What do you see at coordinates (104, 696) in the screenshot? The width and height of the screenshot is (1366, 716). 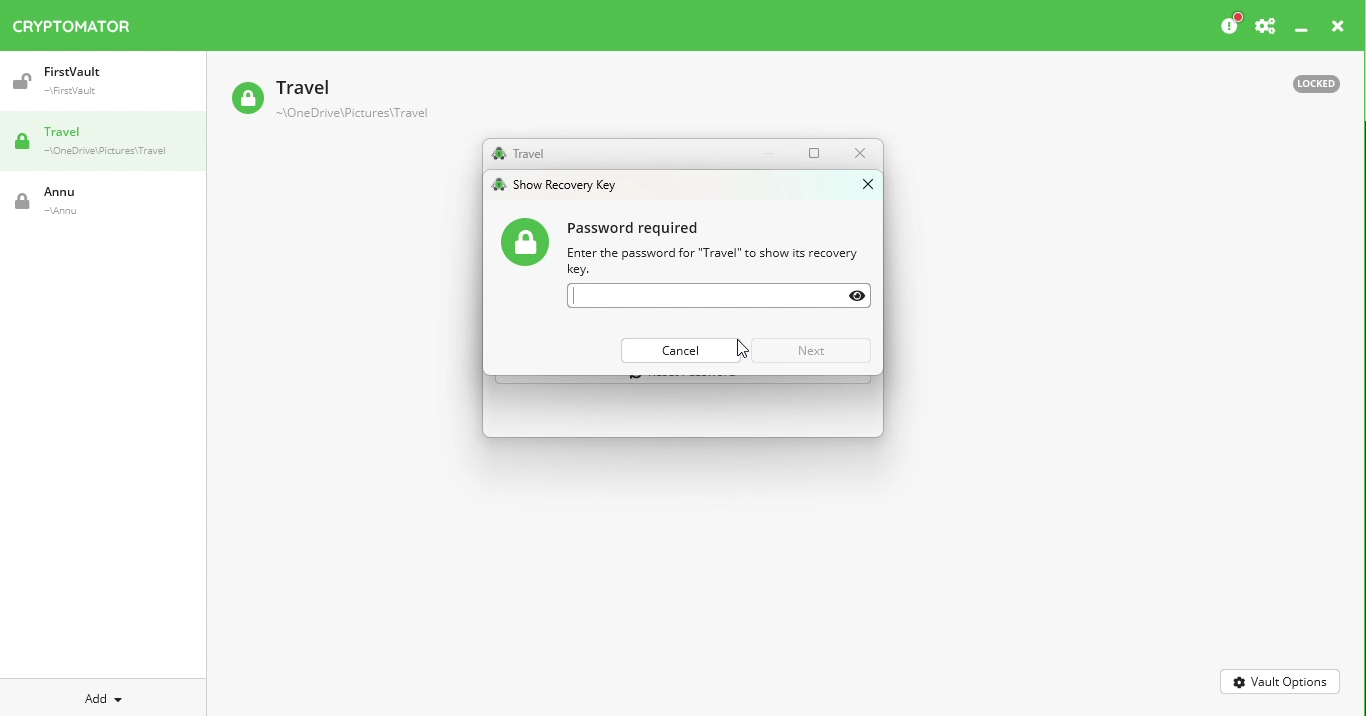 I see `Add new vault` at bounding box center [104, 696].